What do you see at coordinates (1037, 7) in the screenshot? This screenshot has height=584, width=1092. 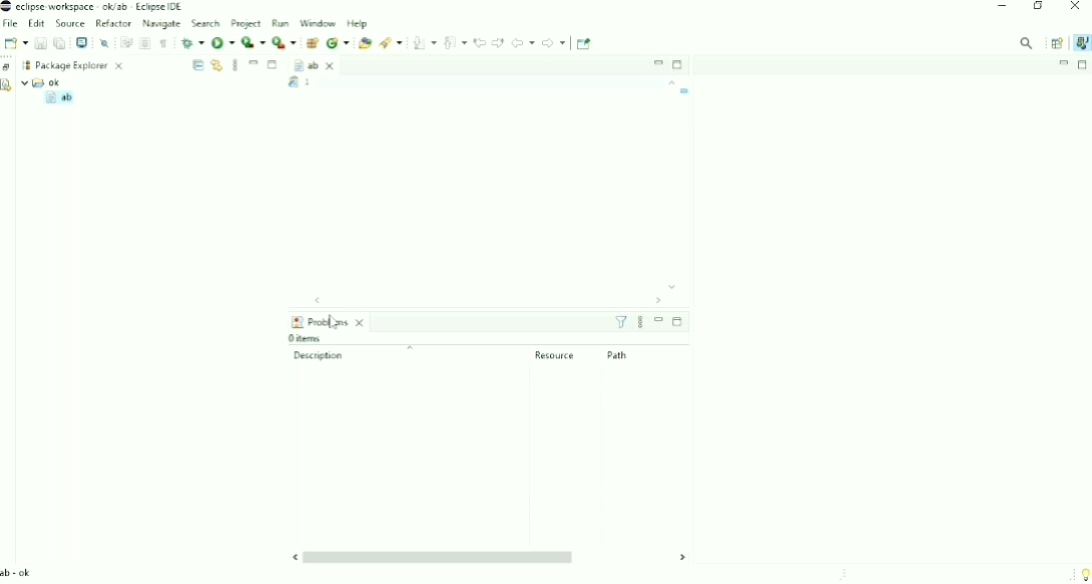 I see `Restore down` at bounding box center [1037, 7].